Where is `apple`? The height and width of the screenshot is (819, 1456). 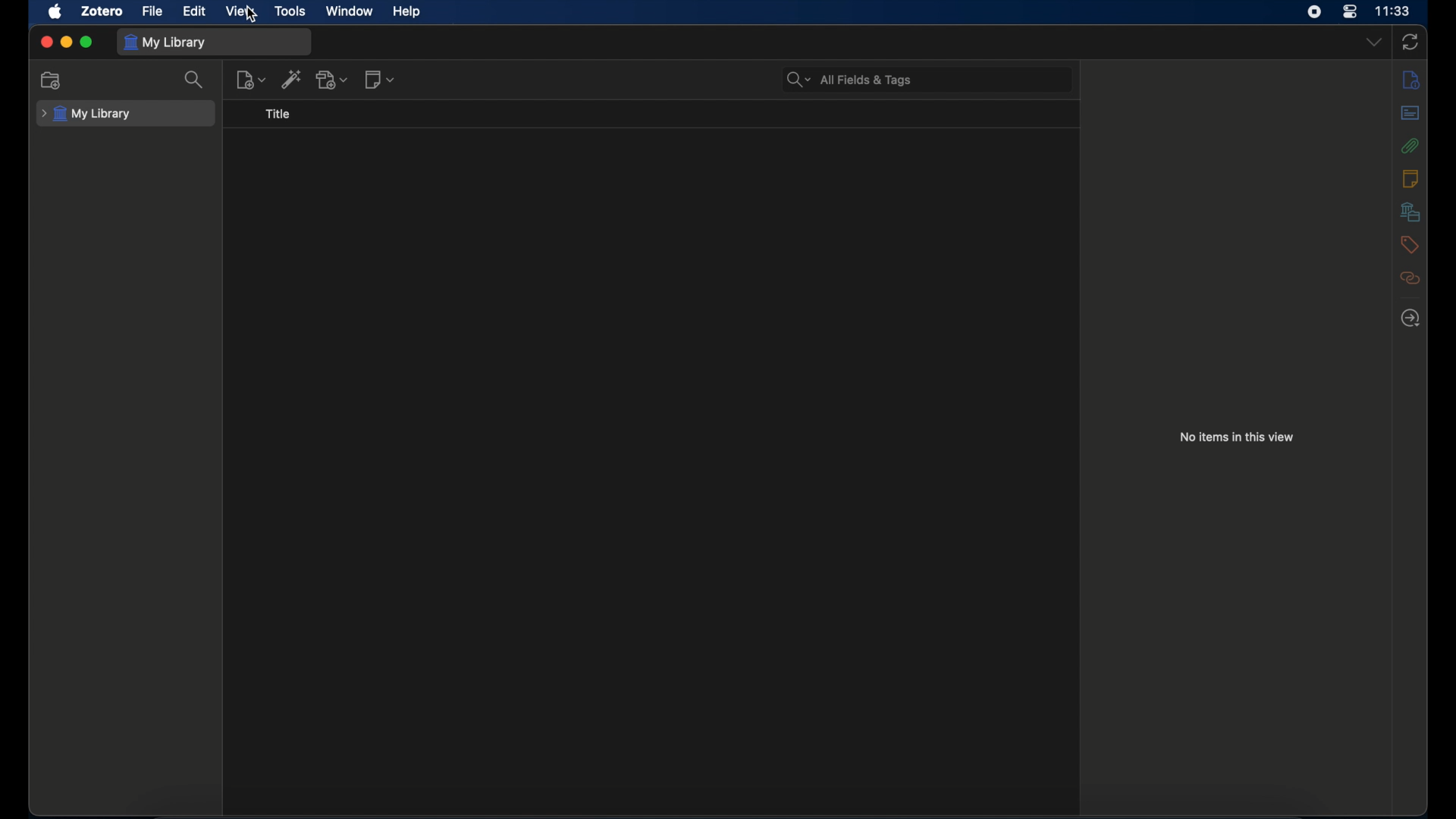
apple is located at coordinates (55, 12).